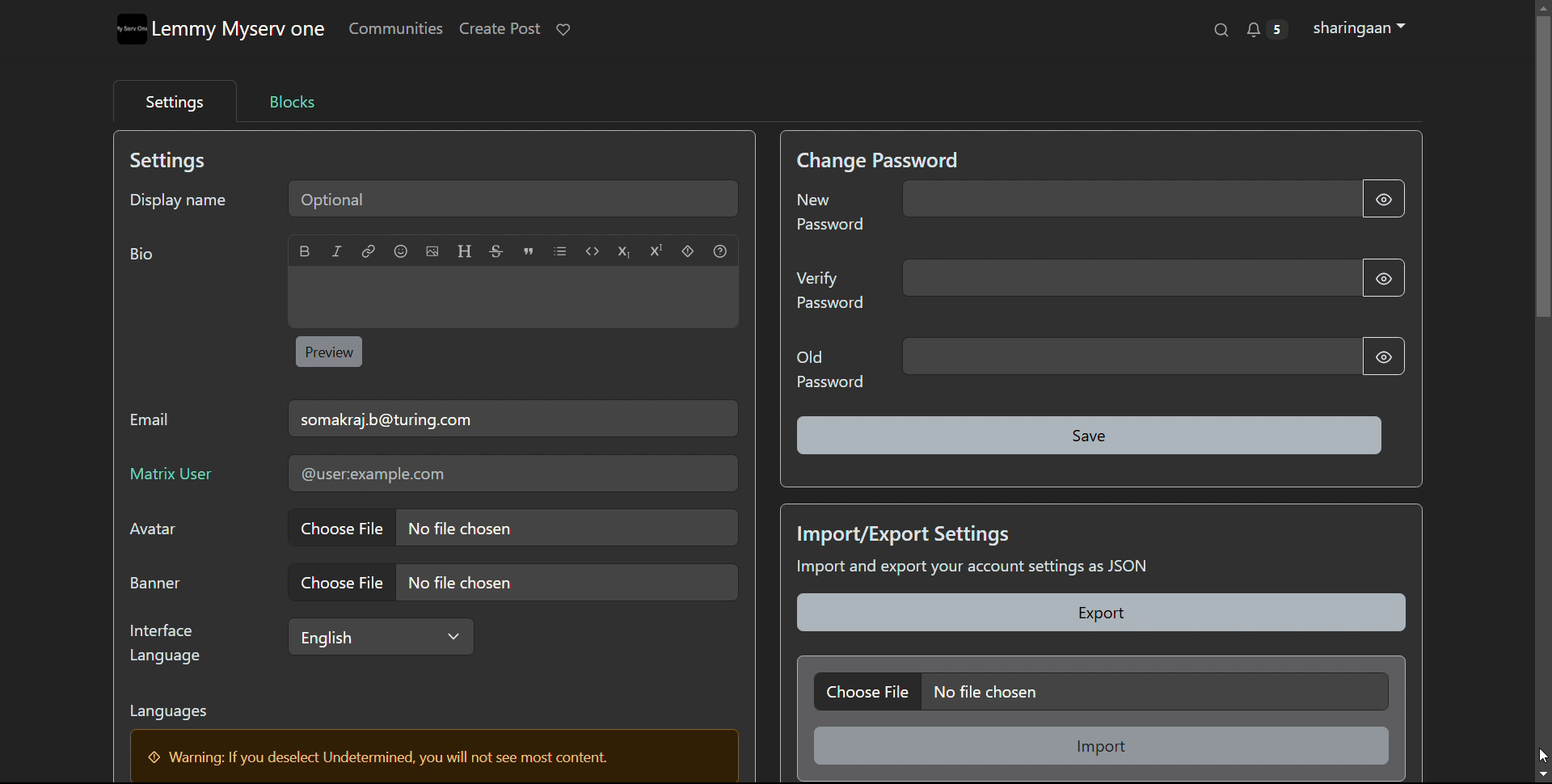 The height and width of the screenshot is (784, 1552). Describe the element at coordinates (1542, 175) in the screenshot. I see `Vertical scroll bar` at that location.